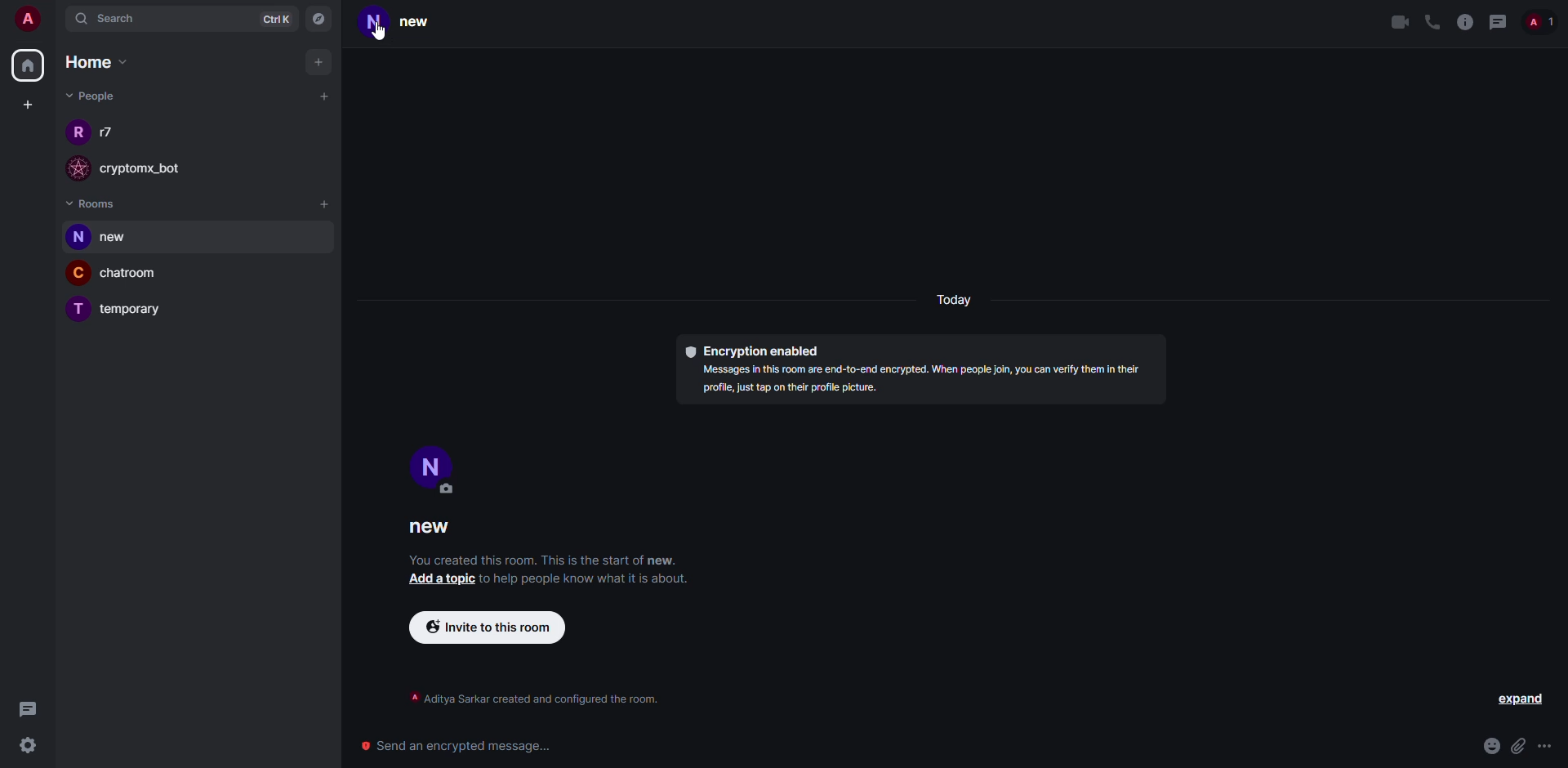 This screenshot has width=1568, height=768. I want to click on room, so click(136, 275).